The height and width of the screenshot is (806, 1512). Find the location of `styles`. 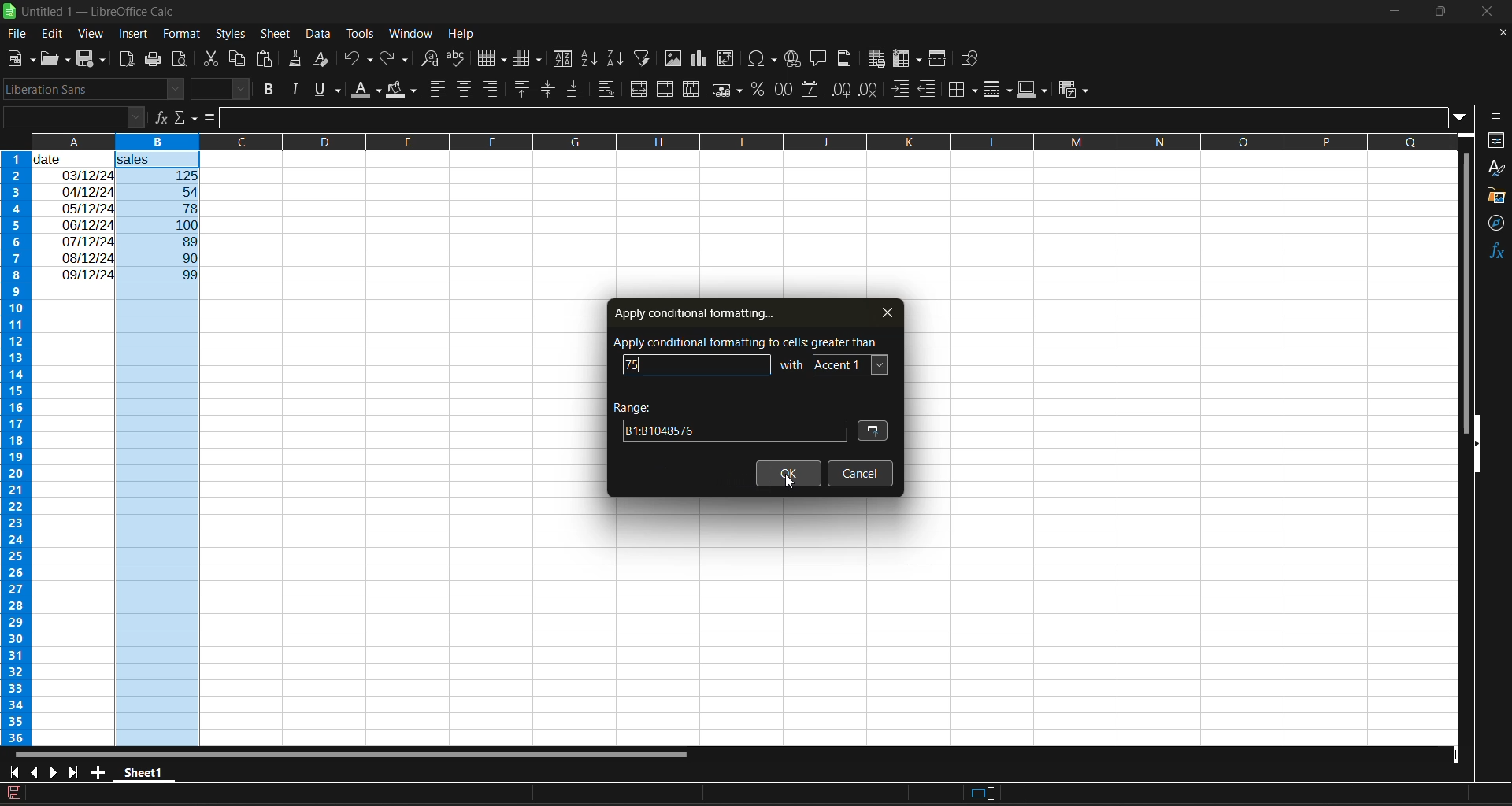

styles is located at coordinates (232, 33).